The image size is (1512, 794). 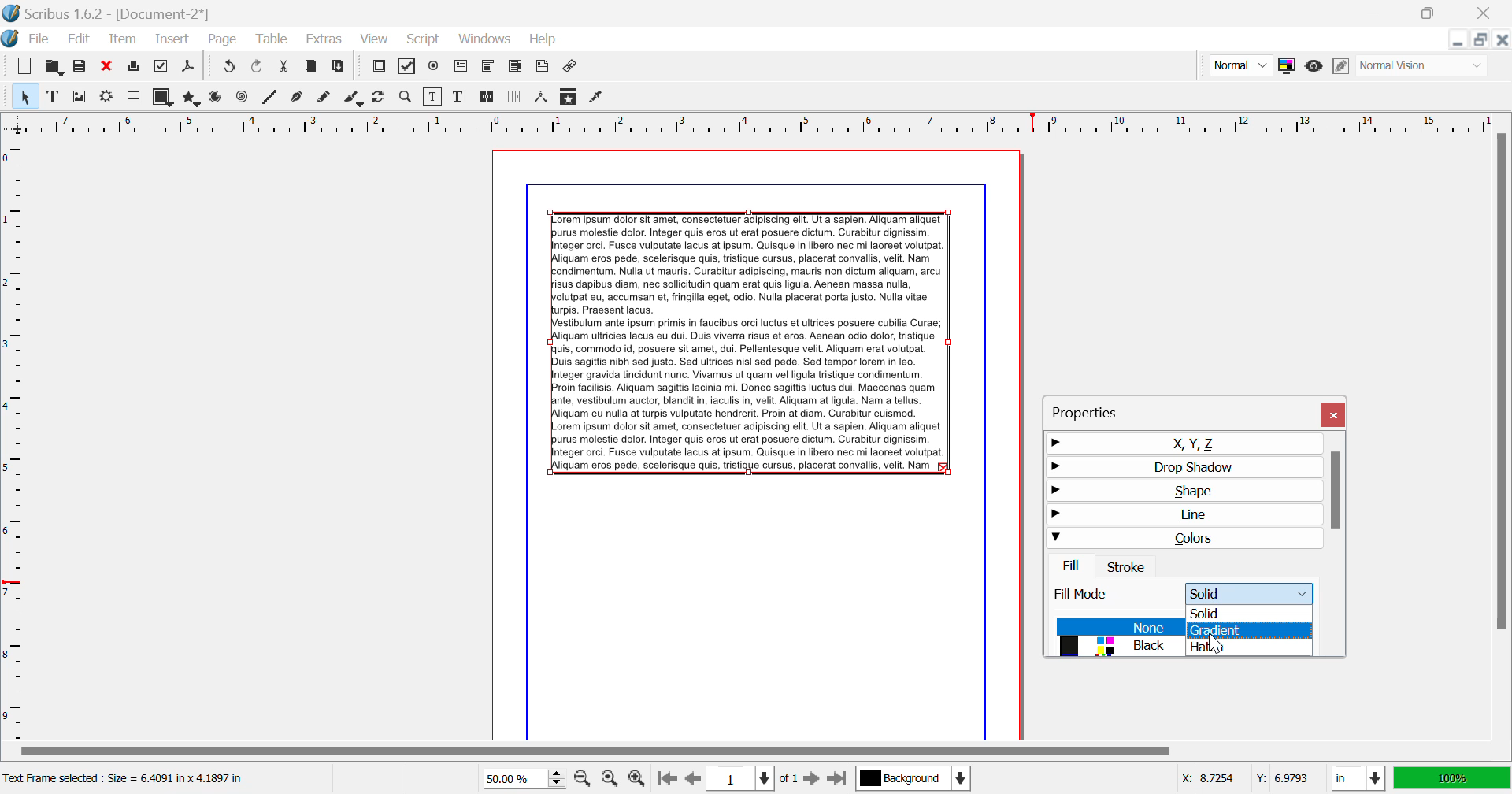 I want to click on First Page, so click(x=665, y=780).